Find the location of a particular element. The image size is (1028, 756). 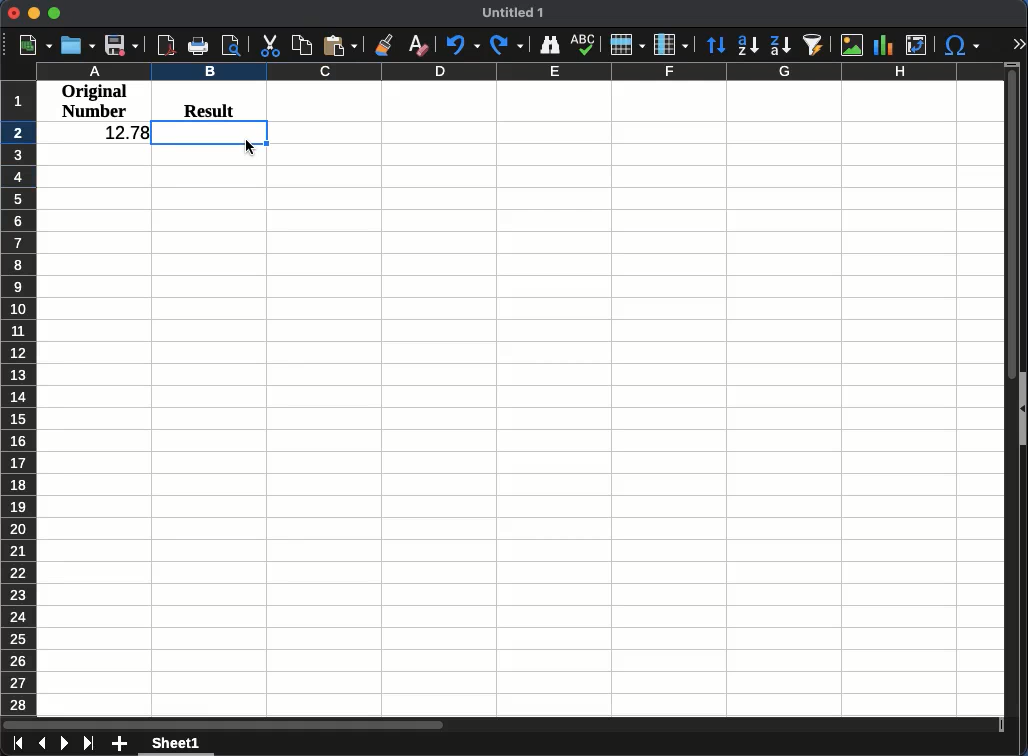

Sort is located at coordinates (716, 45).